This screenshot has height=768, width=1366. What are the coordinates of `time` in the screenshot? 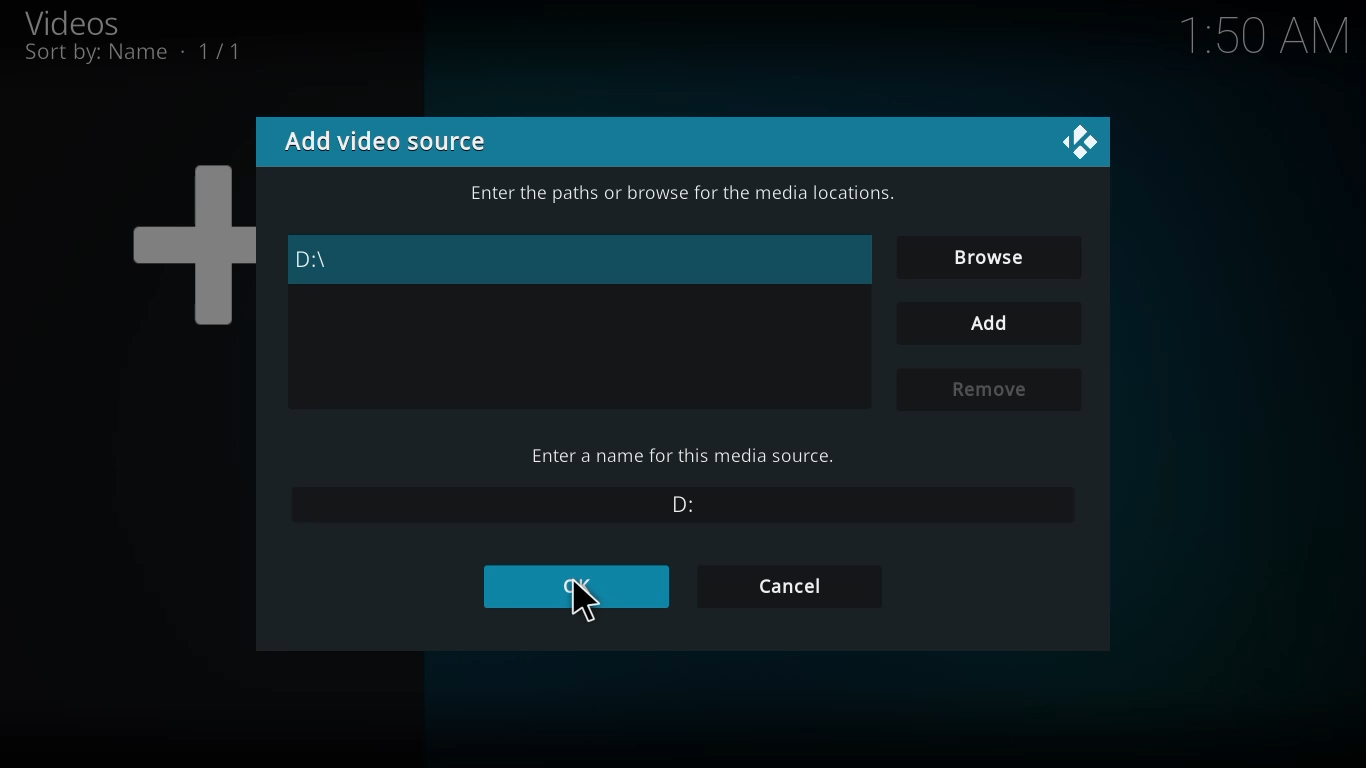 It's located at (1266, 38).